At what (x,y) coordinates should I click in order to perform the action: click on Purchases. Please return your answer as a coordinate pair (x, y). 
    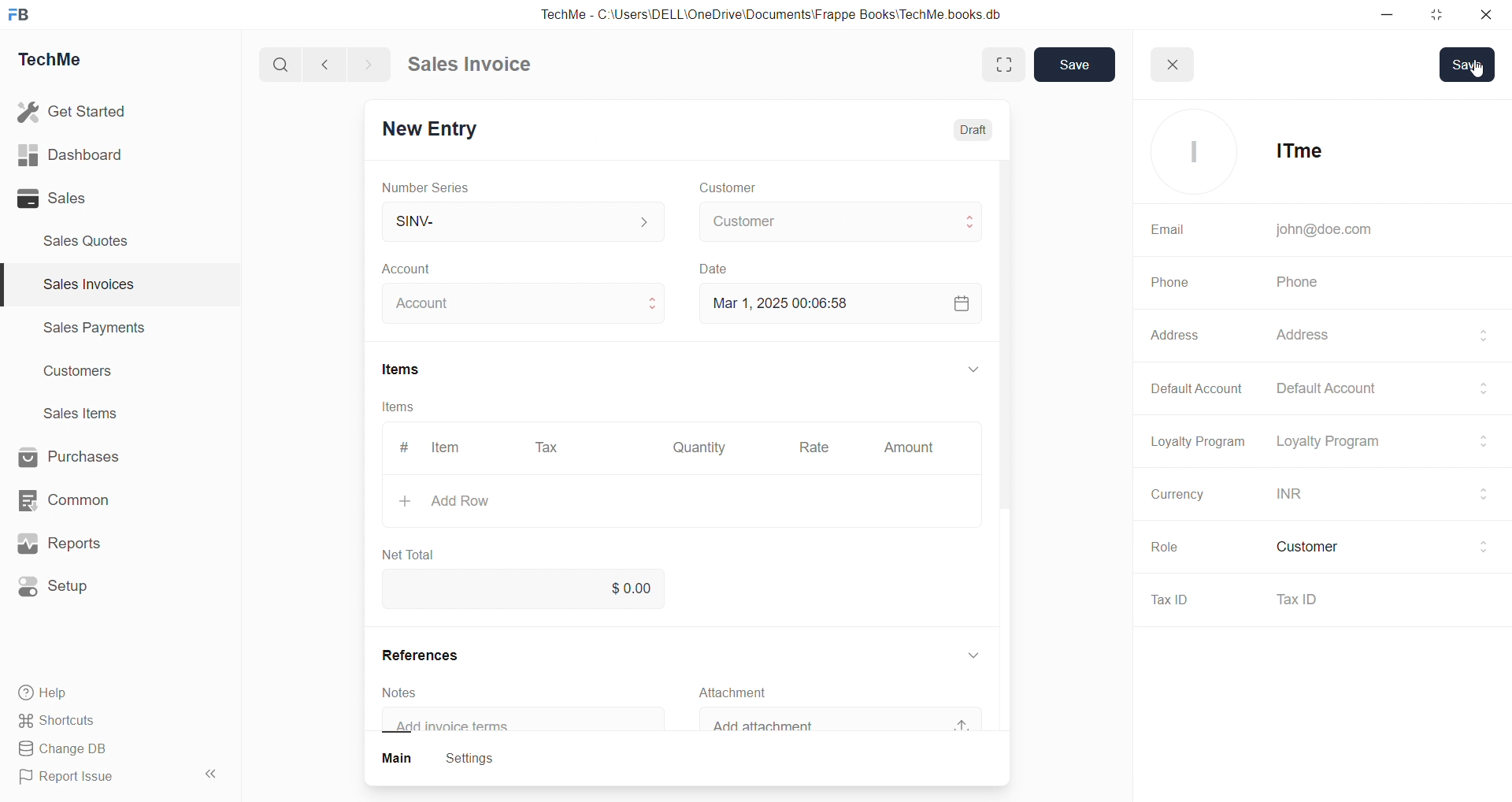
    Looking at the image, I should click on (83, 455).